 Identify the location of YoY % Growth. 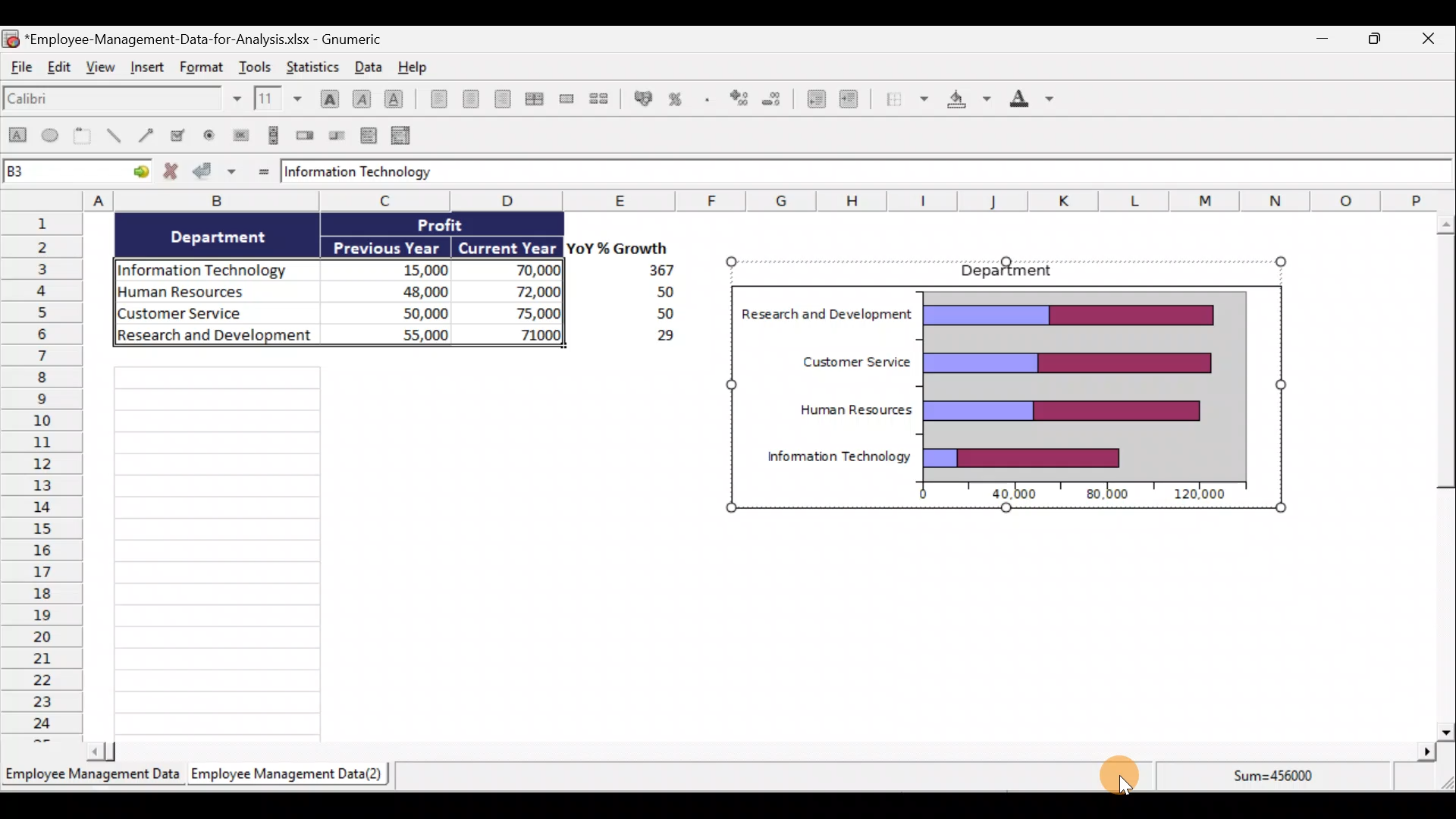
(611, 247).